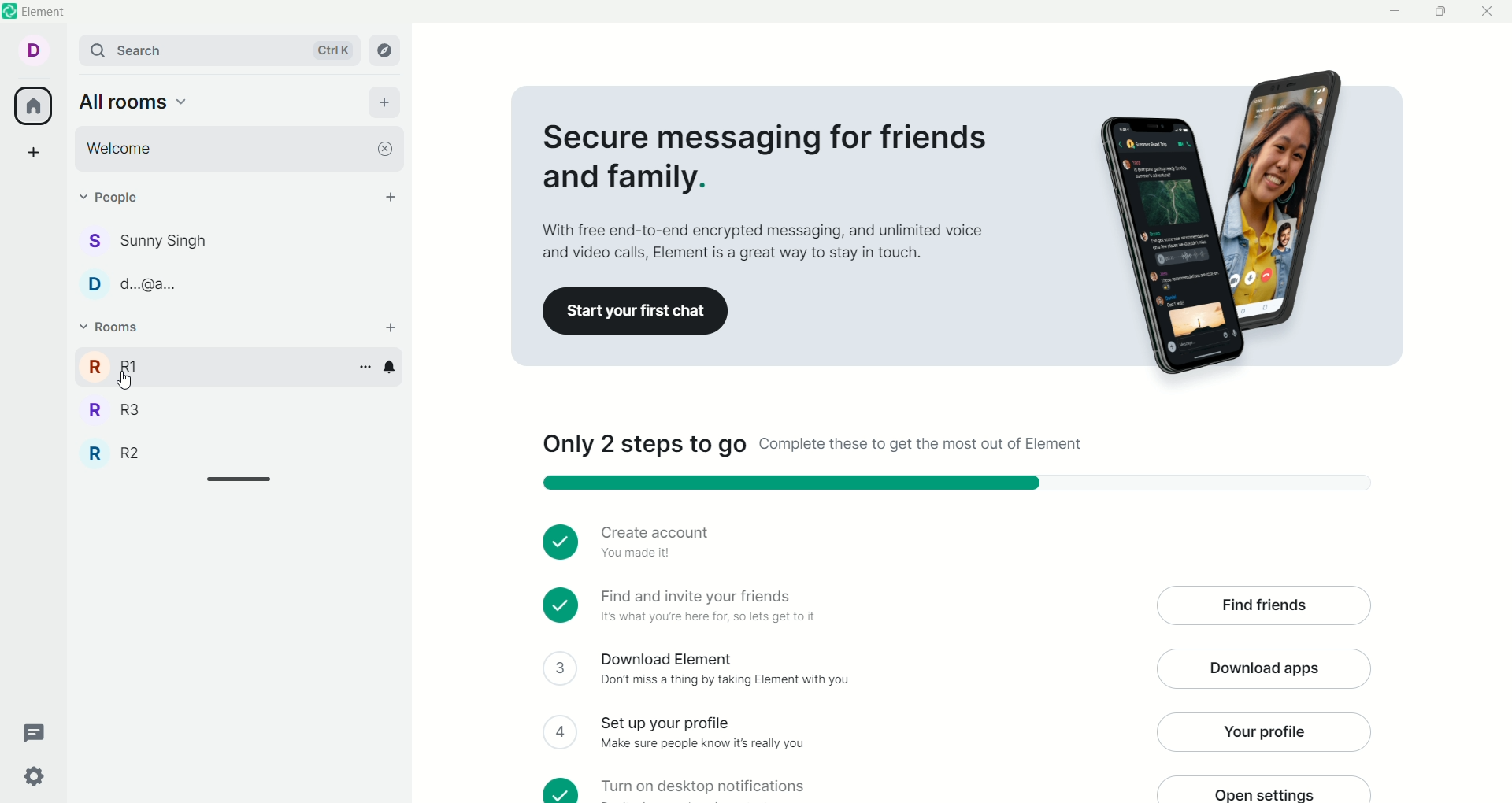  I want to click on explore rooms, so click(385, 50).